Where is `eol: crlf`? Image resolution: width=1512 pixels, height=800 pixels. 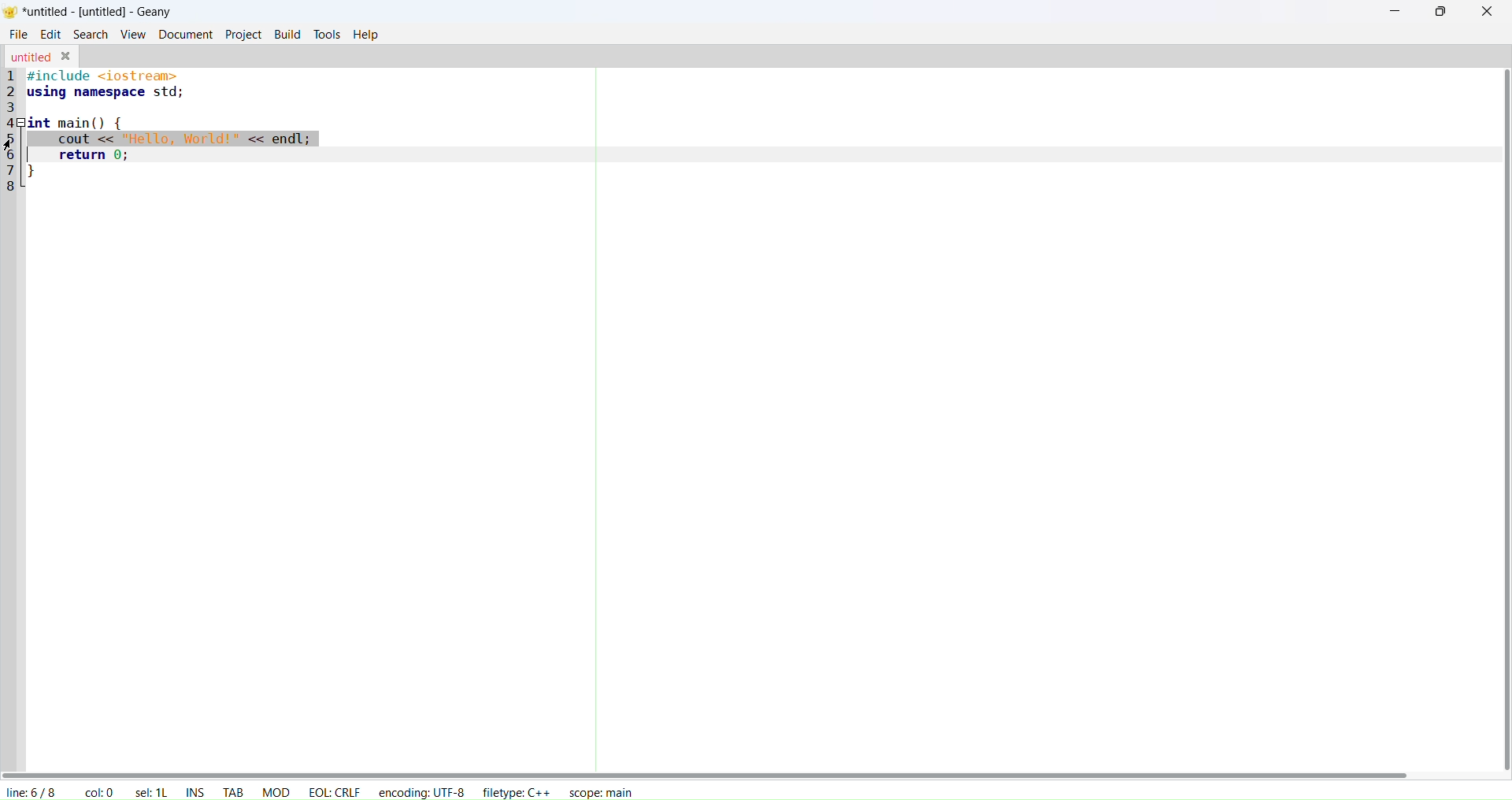
eol: crlf is located at coordinates (335, 791).